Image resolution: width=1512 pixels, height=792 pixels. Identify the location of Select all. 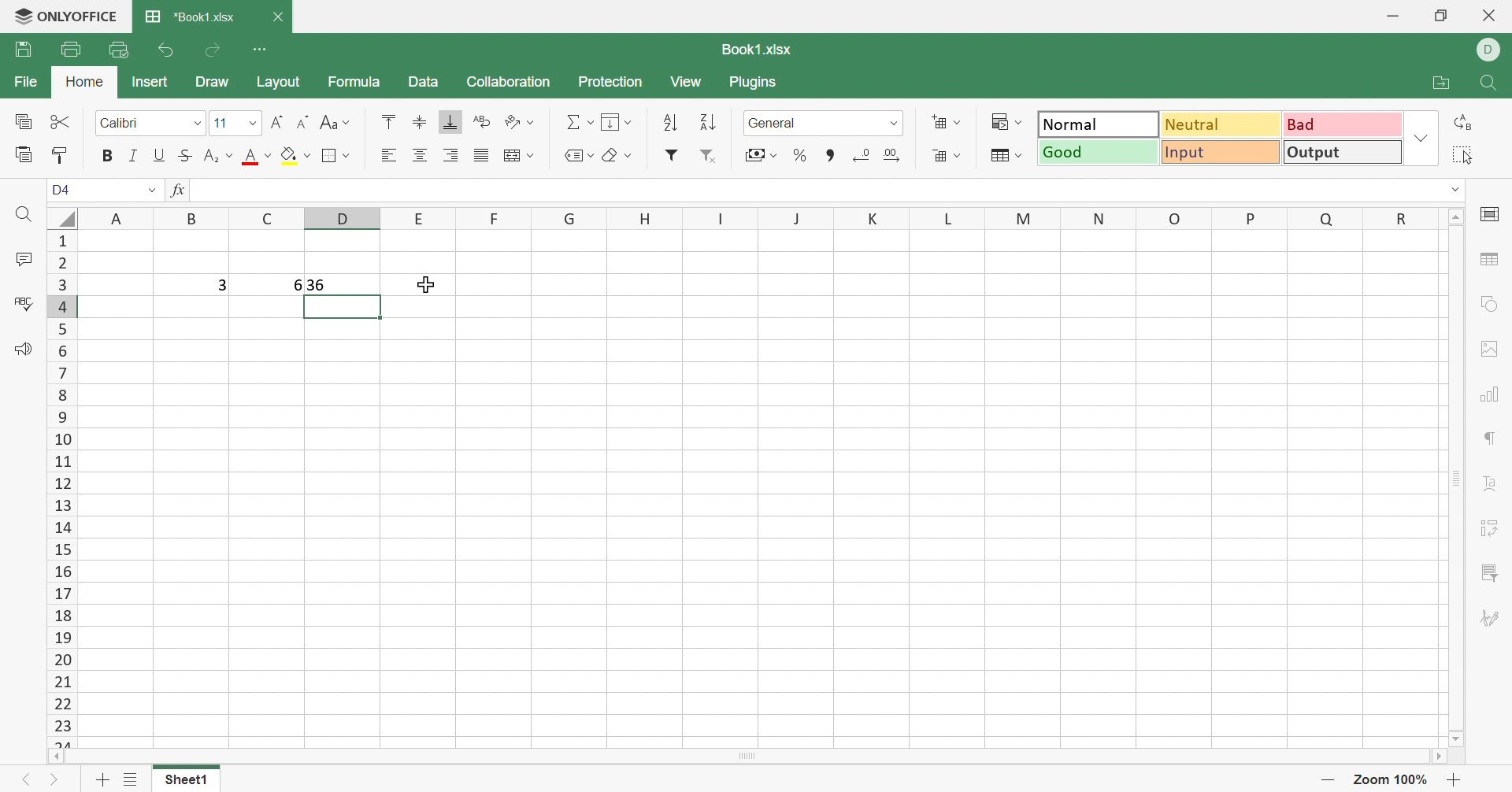
(1463, 154).